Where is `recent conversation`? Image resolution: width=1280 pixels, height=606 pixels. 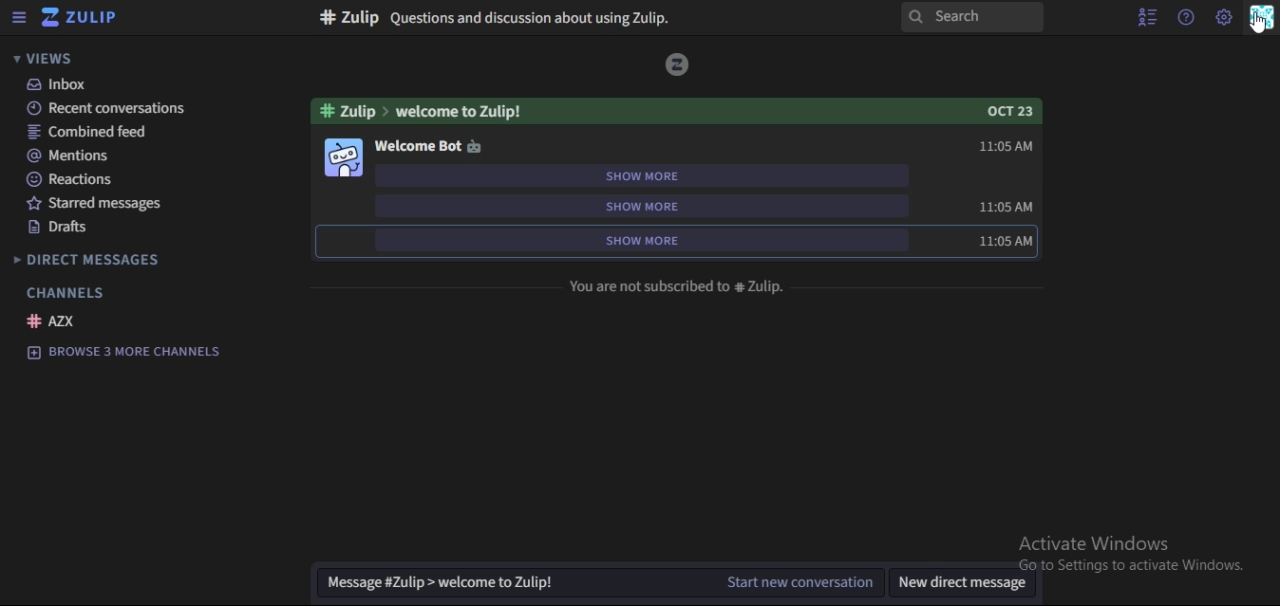
recent conversation is located at coordinates (102, 107).